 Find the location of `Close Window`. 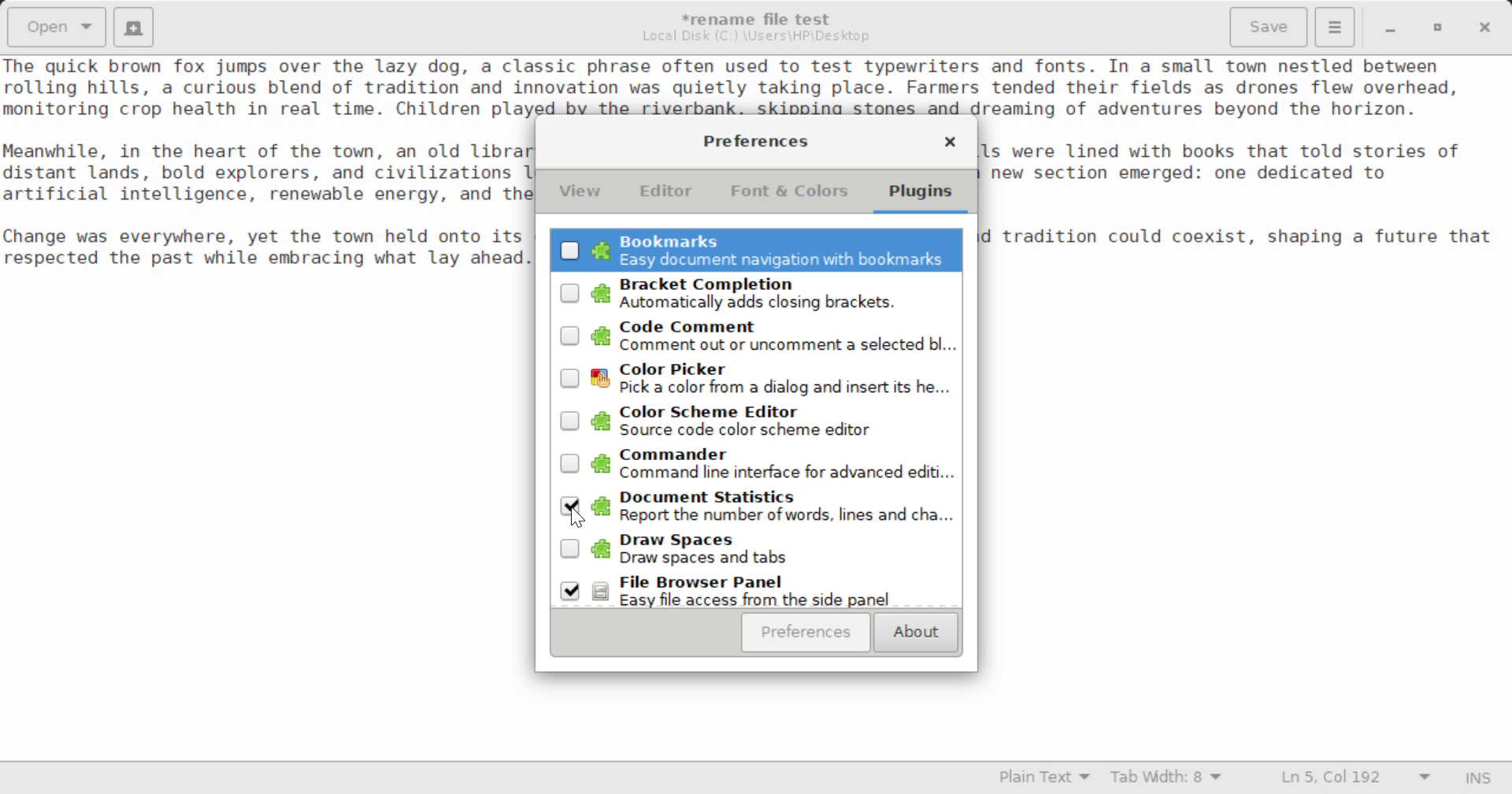

Close Window is located at coordinates (1487, 26).